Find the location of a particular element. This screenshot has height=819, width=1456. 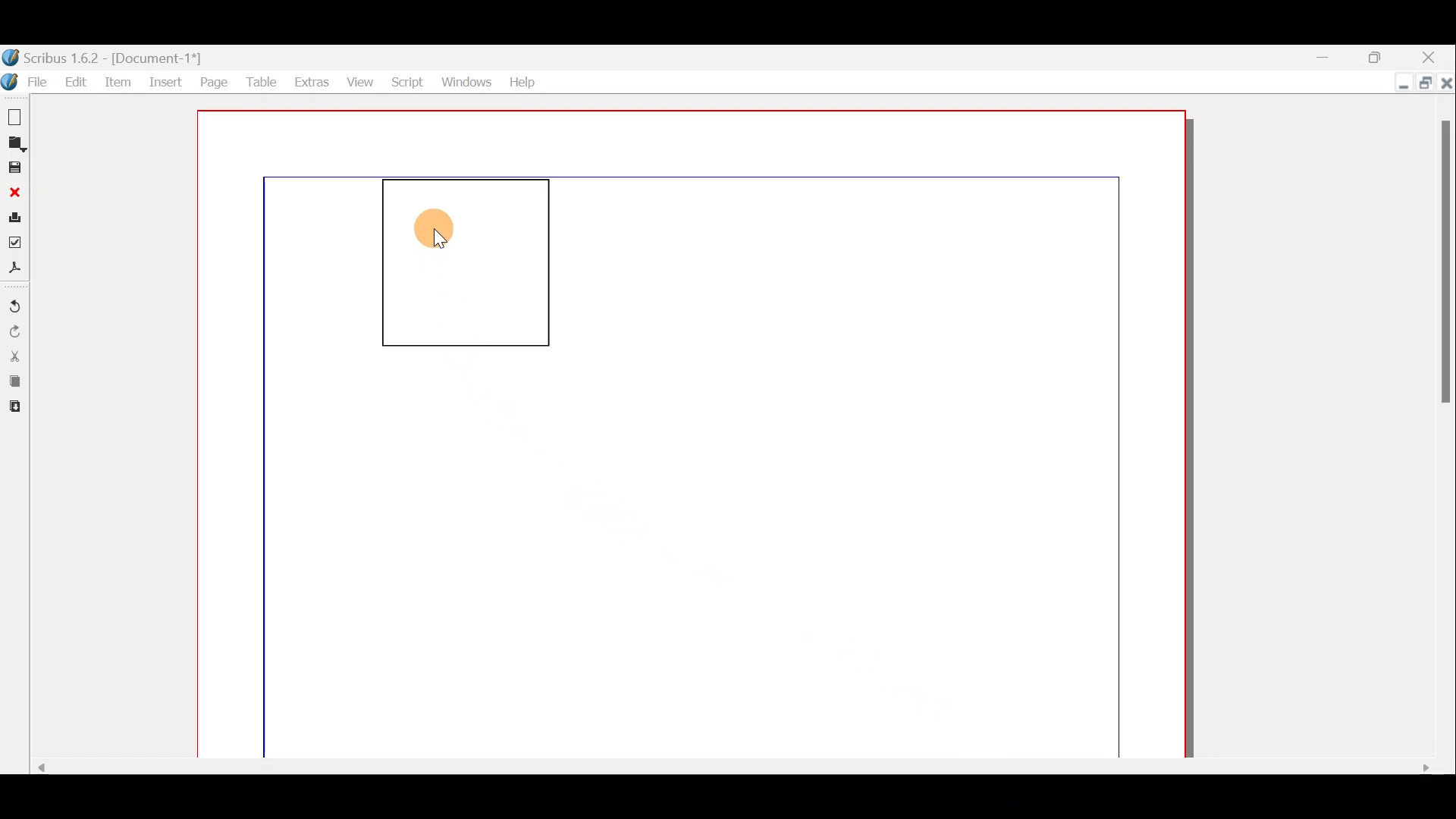

Item is located at coordinates (121, 81).